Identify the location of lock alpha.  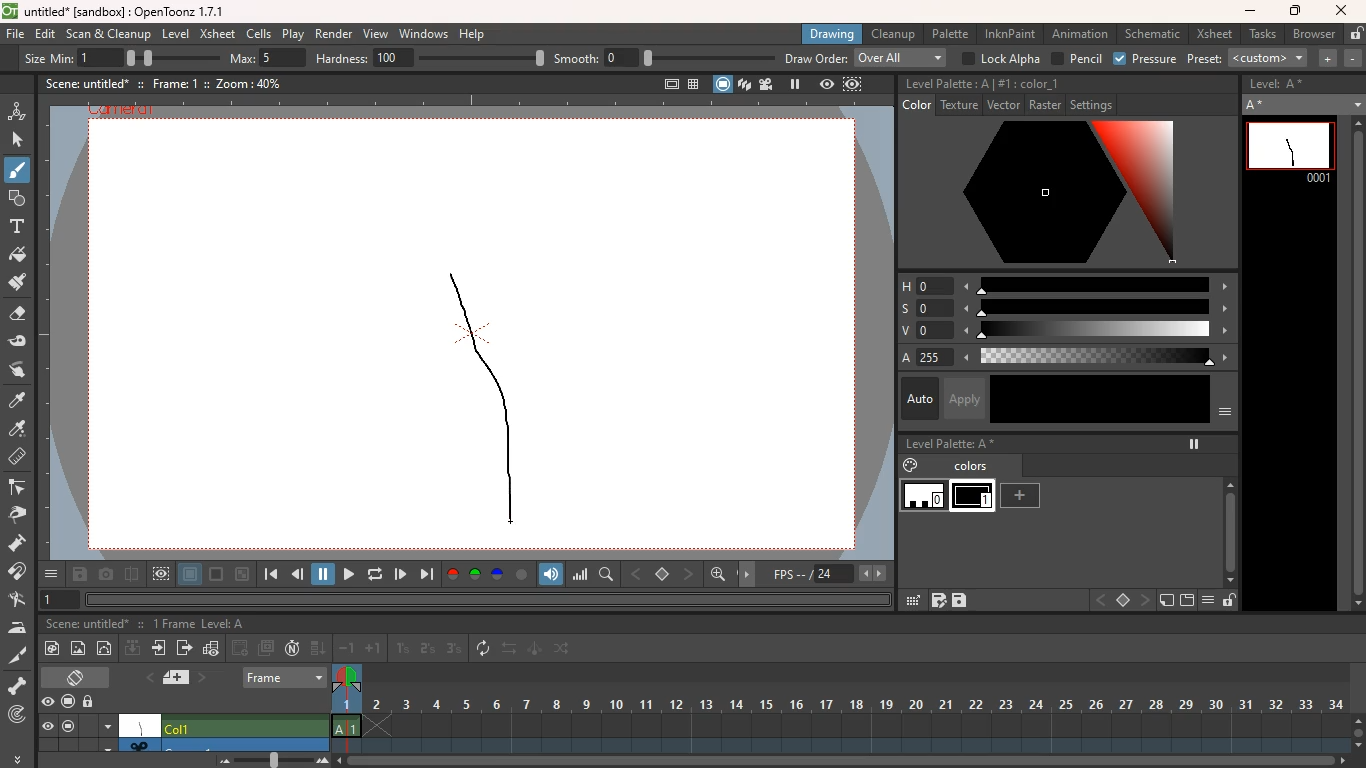
(1001, 58).